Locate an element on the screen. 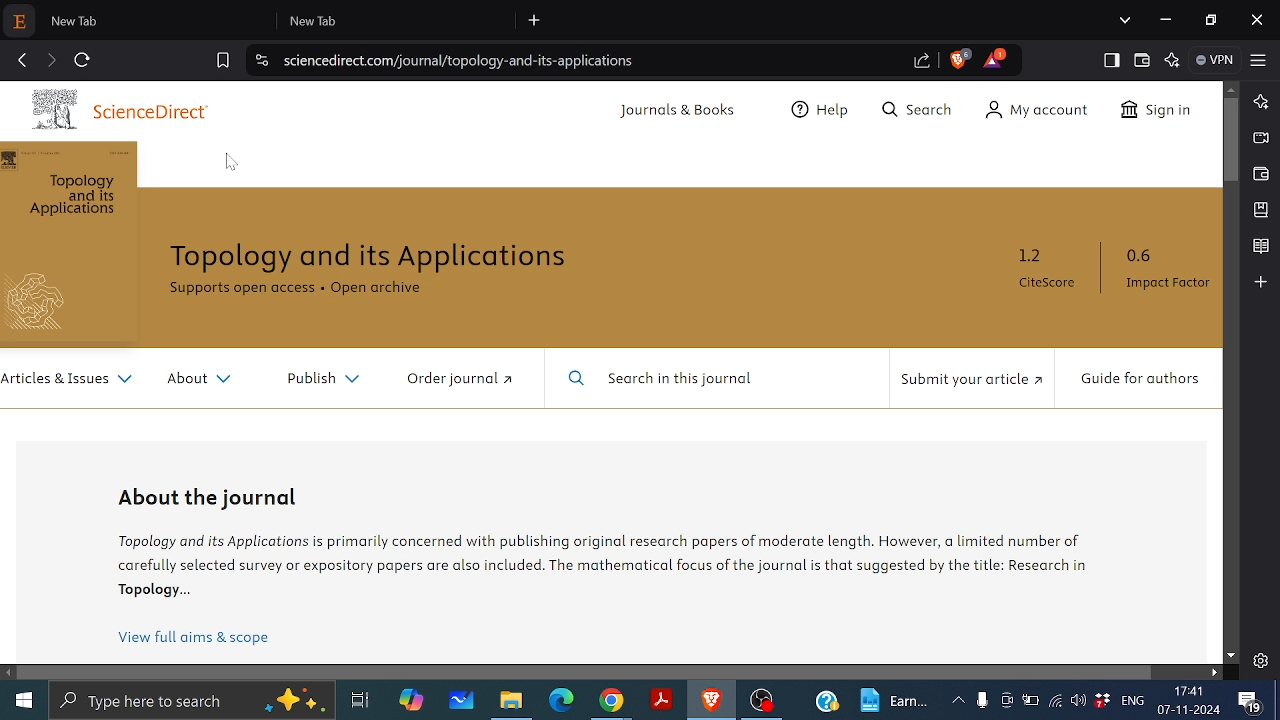 The height and width of the screenshot is (720, 1280). My account is located at coordinates (1044, 110).